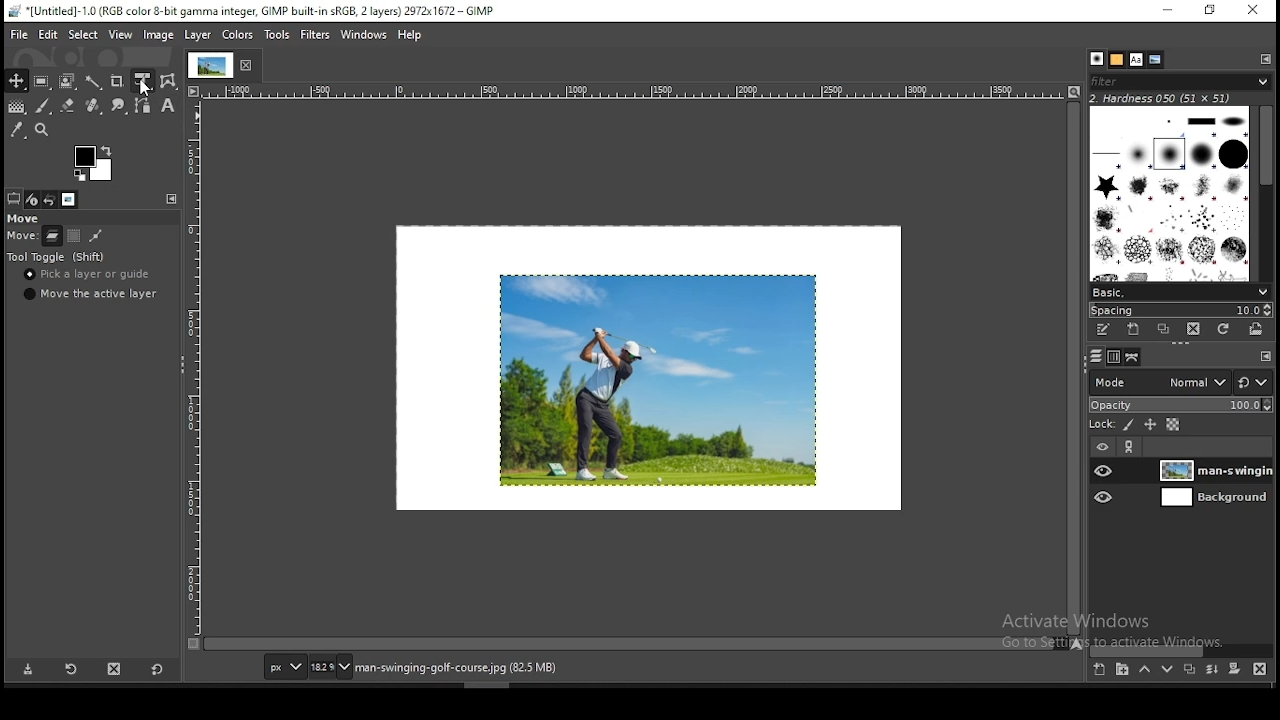  What do you see at coordinates (1196, 330) in the screenshot?
I see `delete brush` at bounding box center [1196, 330].